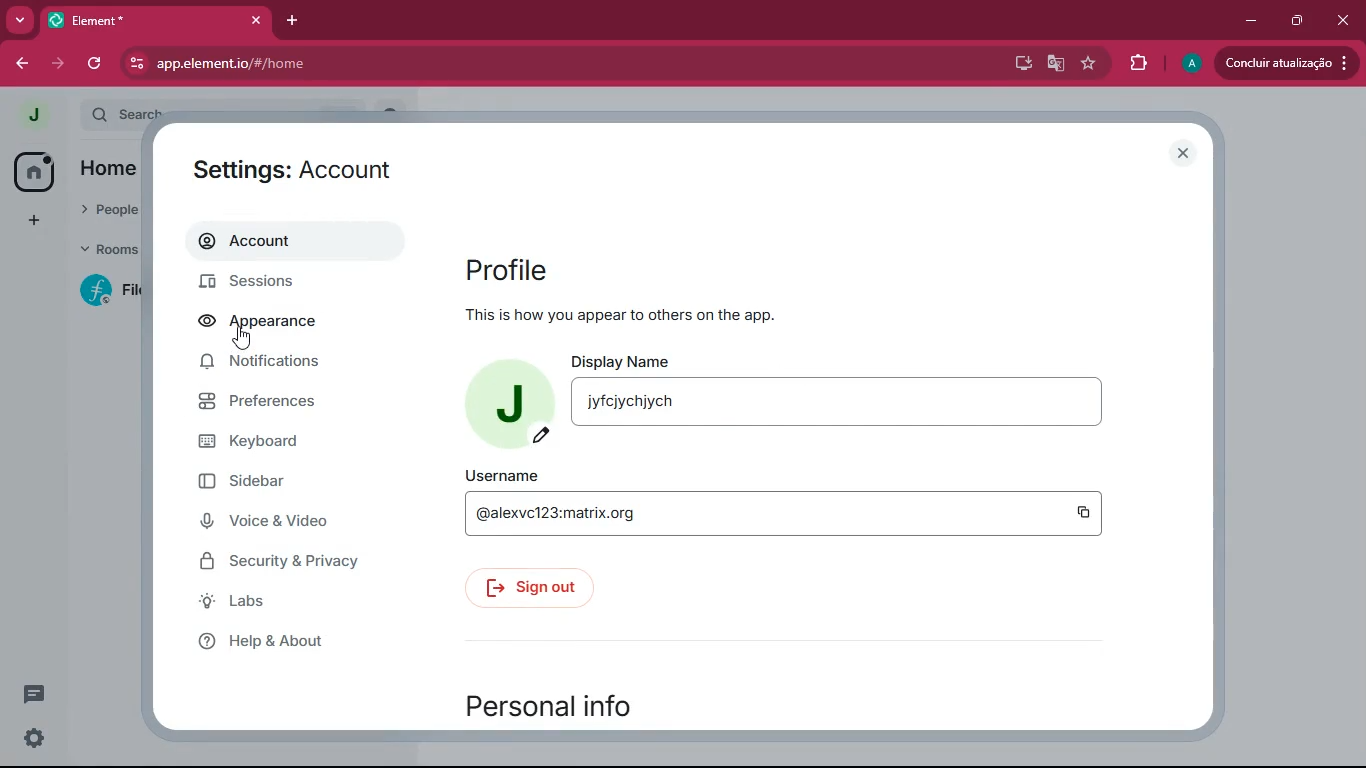  What do you see at coordinates (285, 403) in the screenshot?
I see `preferences` at bounding box center [285, 403].